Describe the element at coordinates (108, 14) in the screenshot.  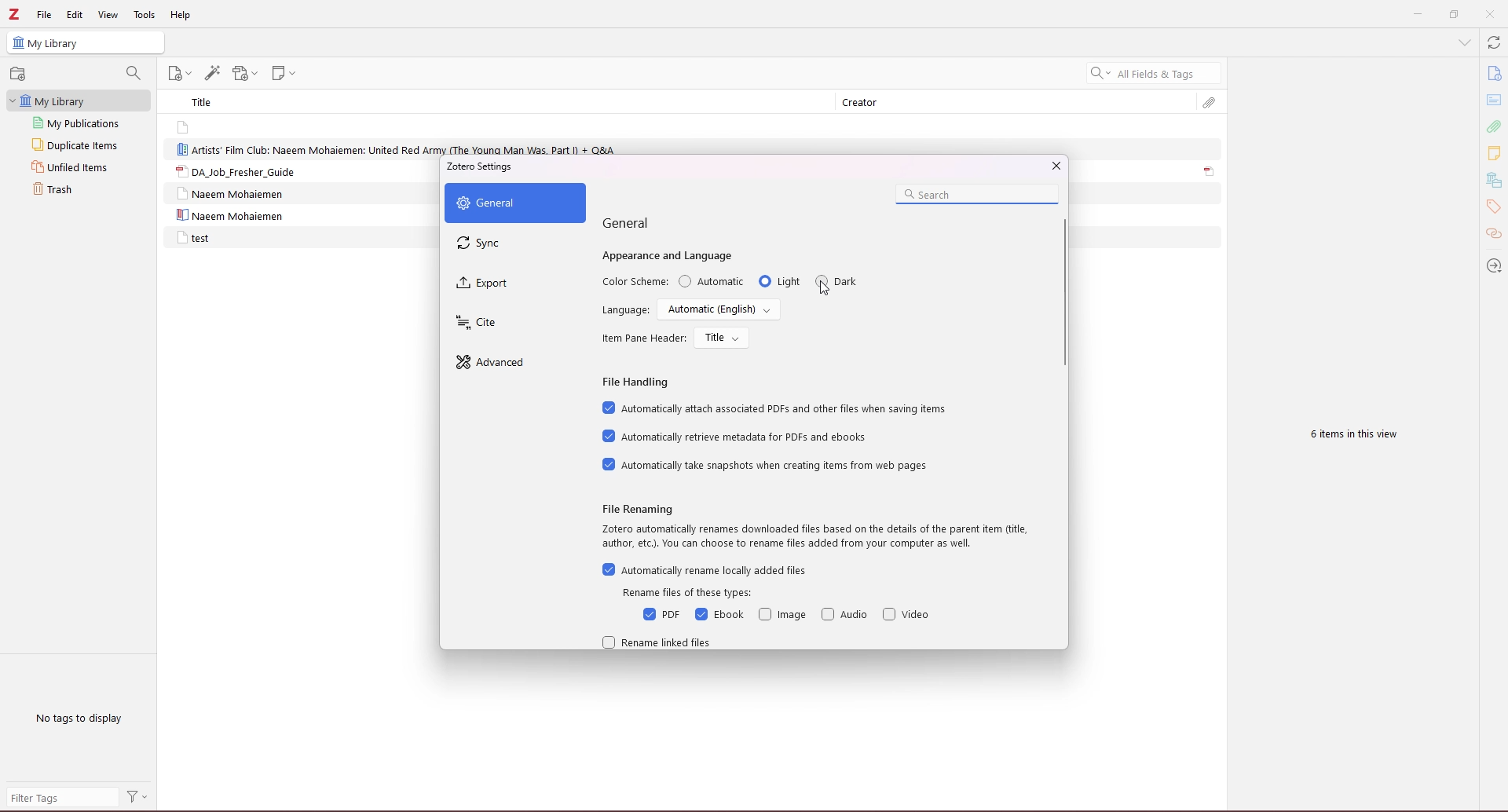
I see `view` at that location.